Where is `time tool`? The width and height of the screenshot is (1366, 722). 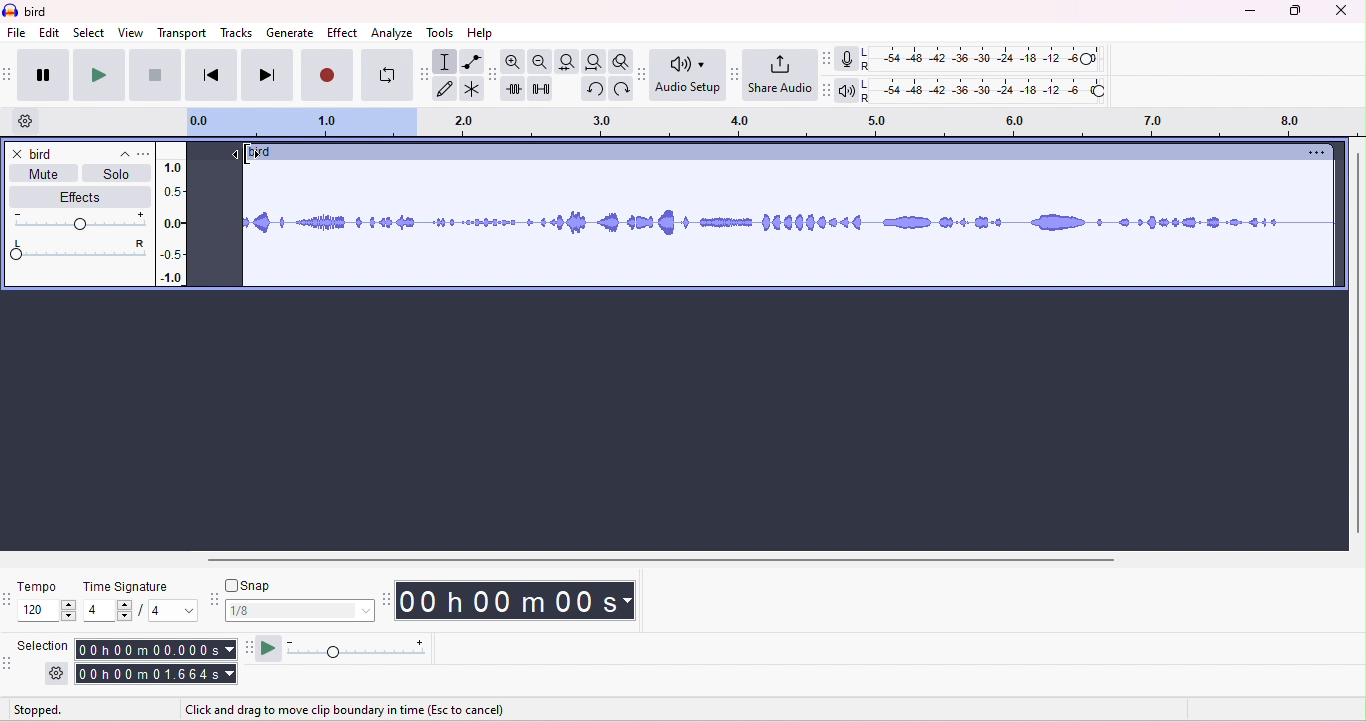
time tool is located at coordinates (388, 599).